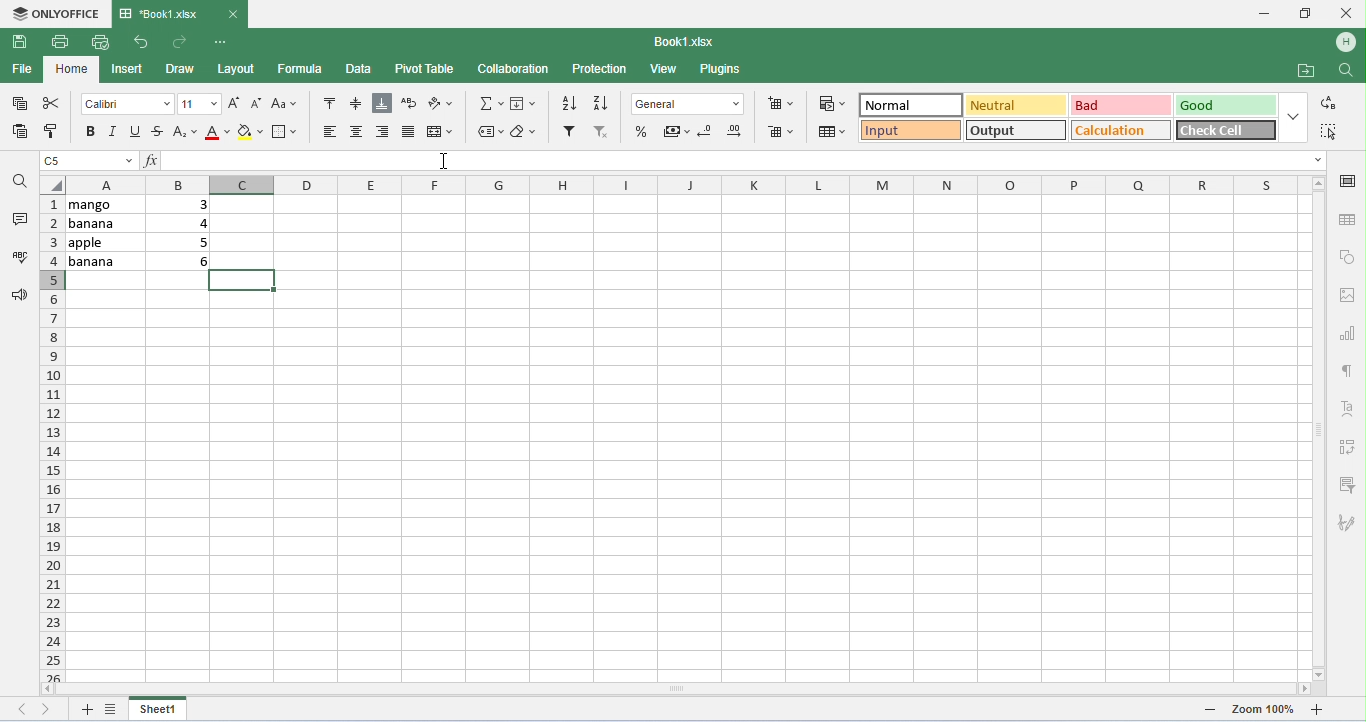  What do you see at coordinates (1318, 709) in the screenshot?
I see `zoom out` at bounding box center [1318, 709].